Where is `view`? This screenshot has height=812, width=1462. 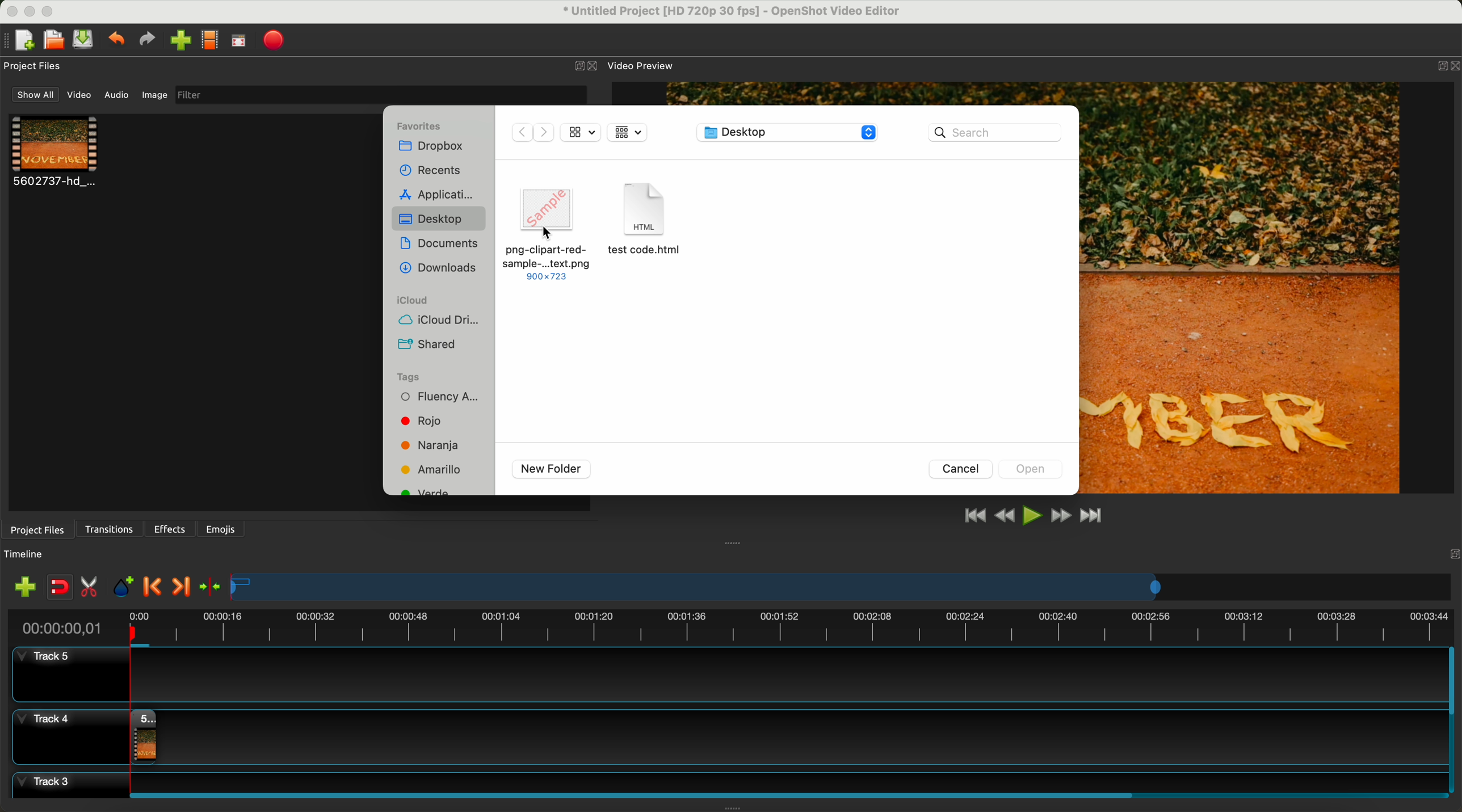 view is located at coordinates (627, 132).